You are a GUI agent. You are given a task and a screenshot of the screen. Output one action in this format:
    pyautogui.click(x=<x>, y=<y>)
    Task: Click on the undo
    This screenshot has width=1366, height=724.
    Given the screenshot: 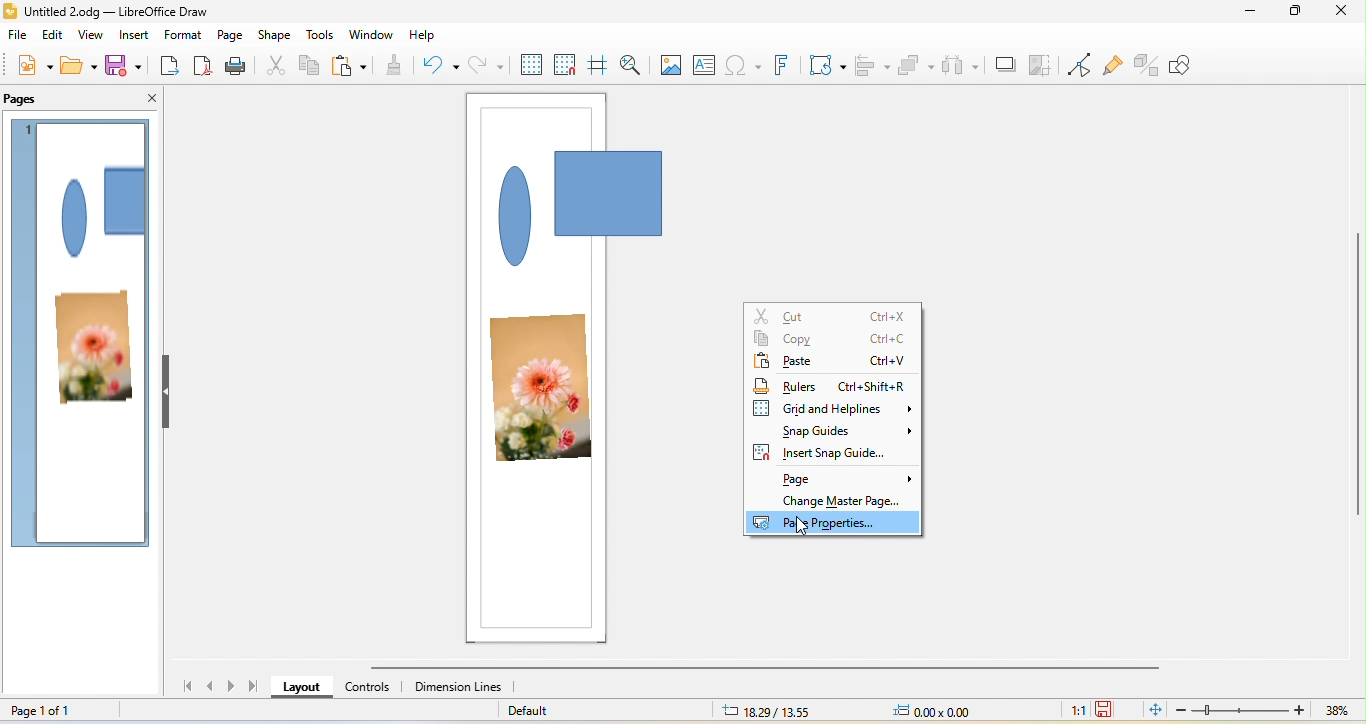 What is the action you would take?
    pyautogui.click(x=443, y=67)
    